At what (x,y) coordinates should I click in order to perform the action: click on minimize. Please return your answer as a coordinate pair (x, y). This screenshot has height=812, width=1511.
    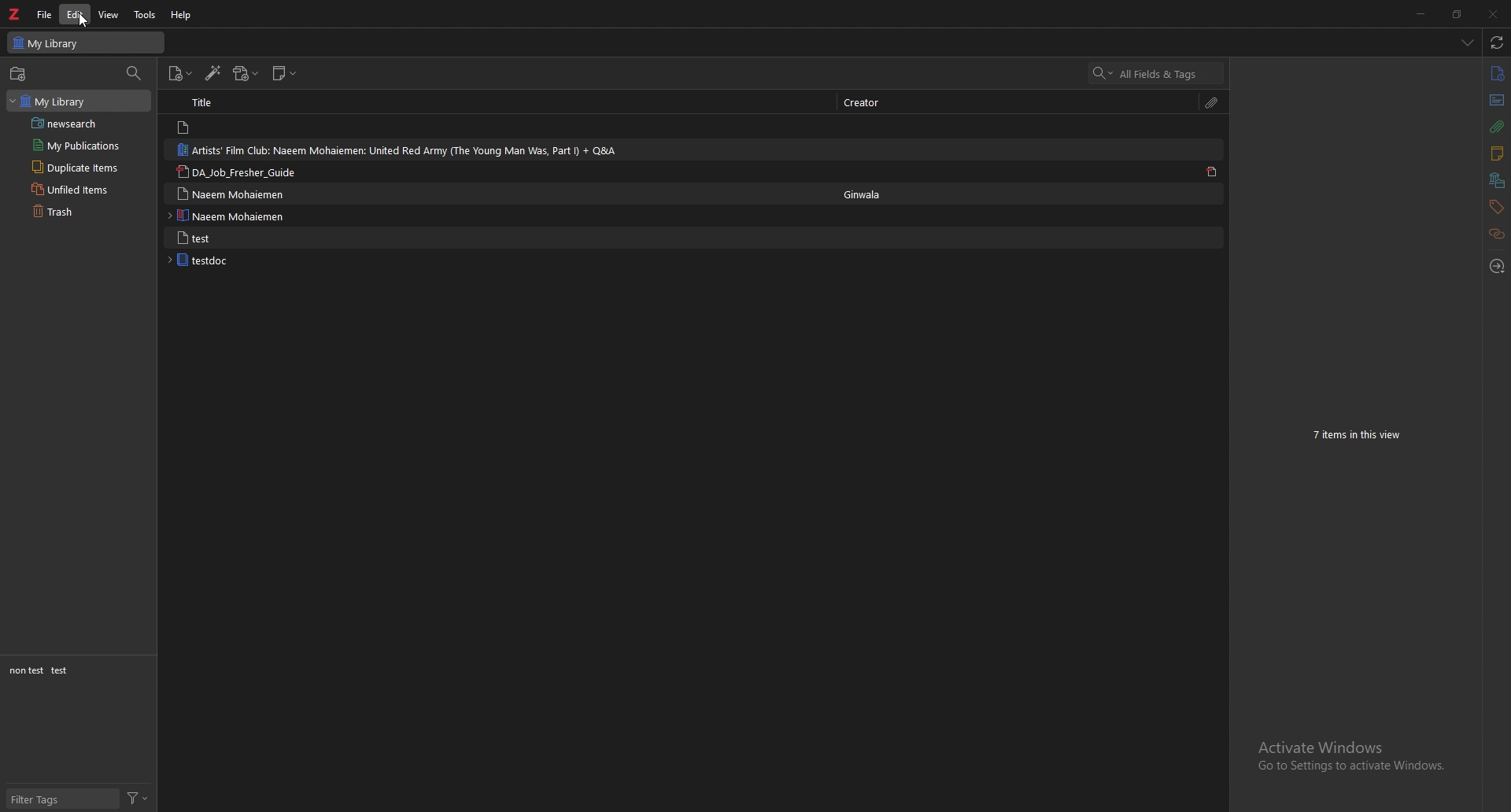
    Looking at the image, I should click on (1421, 13).